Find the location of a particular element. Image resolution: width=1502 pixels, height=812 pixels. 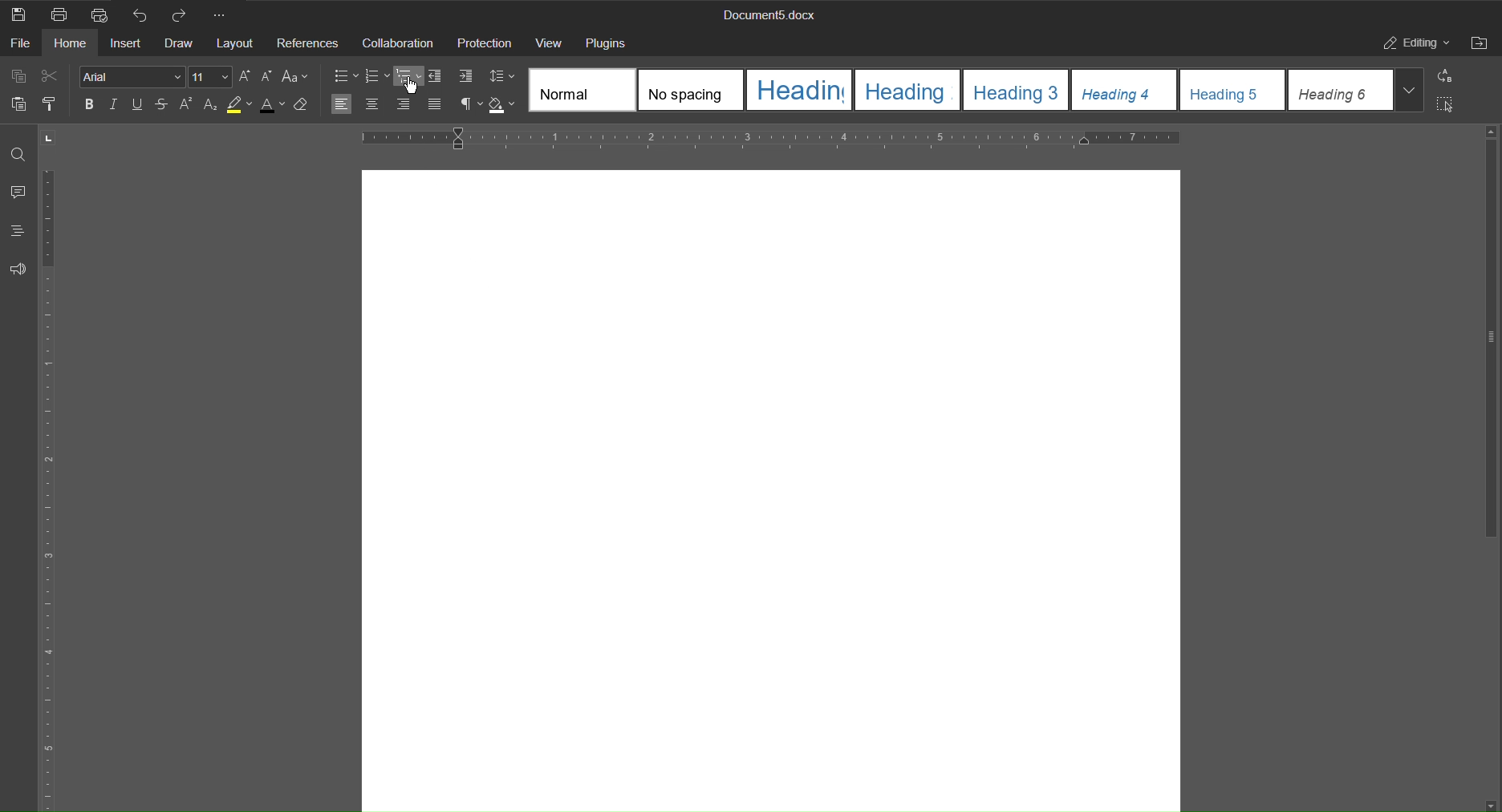

Heading 5 is located at coordinates (1234, 90).